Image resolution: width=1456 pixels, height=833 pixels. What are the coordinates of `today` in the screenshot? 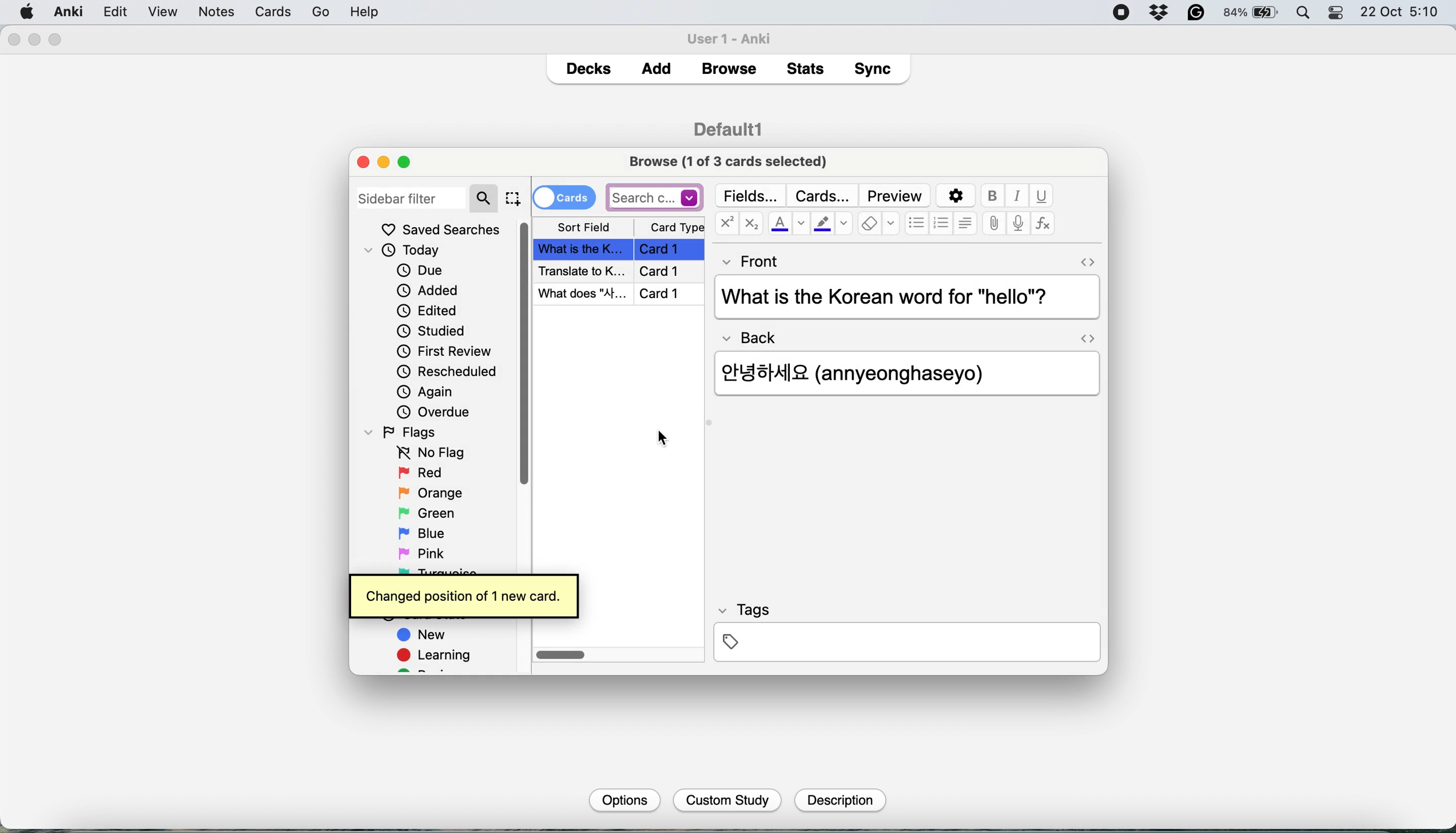 It's located at (408, 251).